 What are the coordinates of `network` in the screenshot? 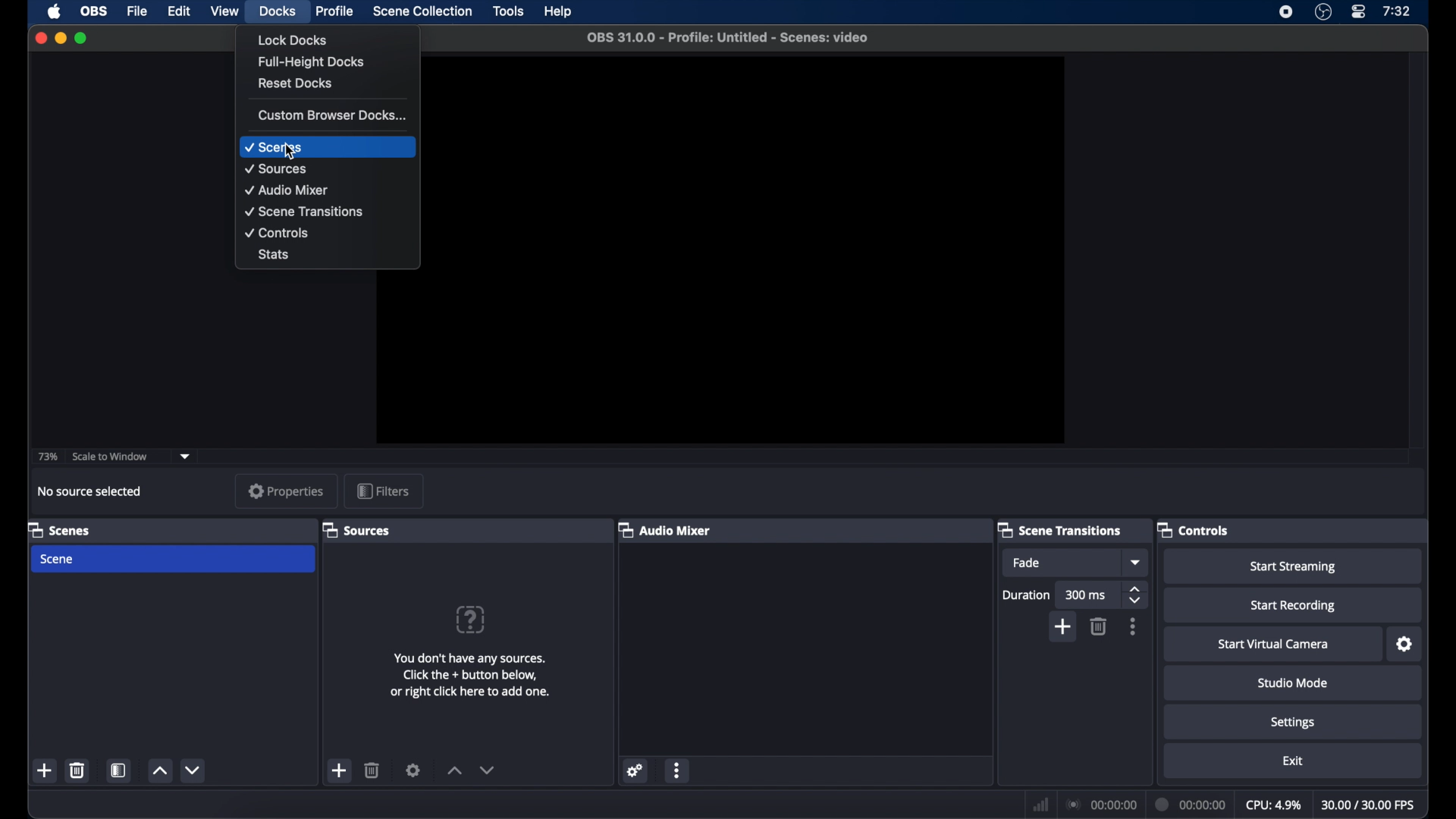 It's located at (1040, 803).